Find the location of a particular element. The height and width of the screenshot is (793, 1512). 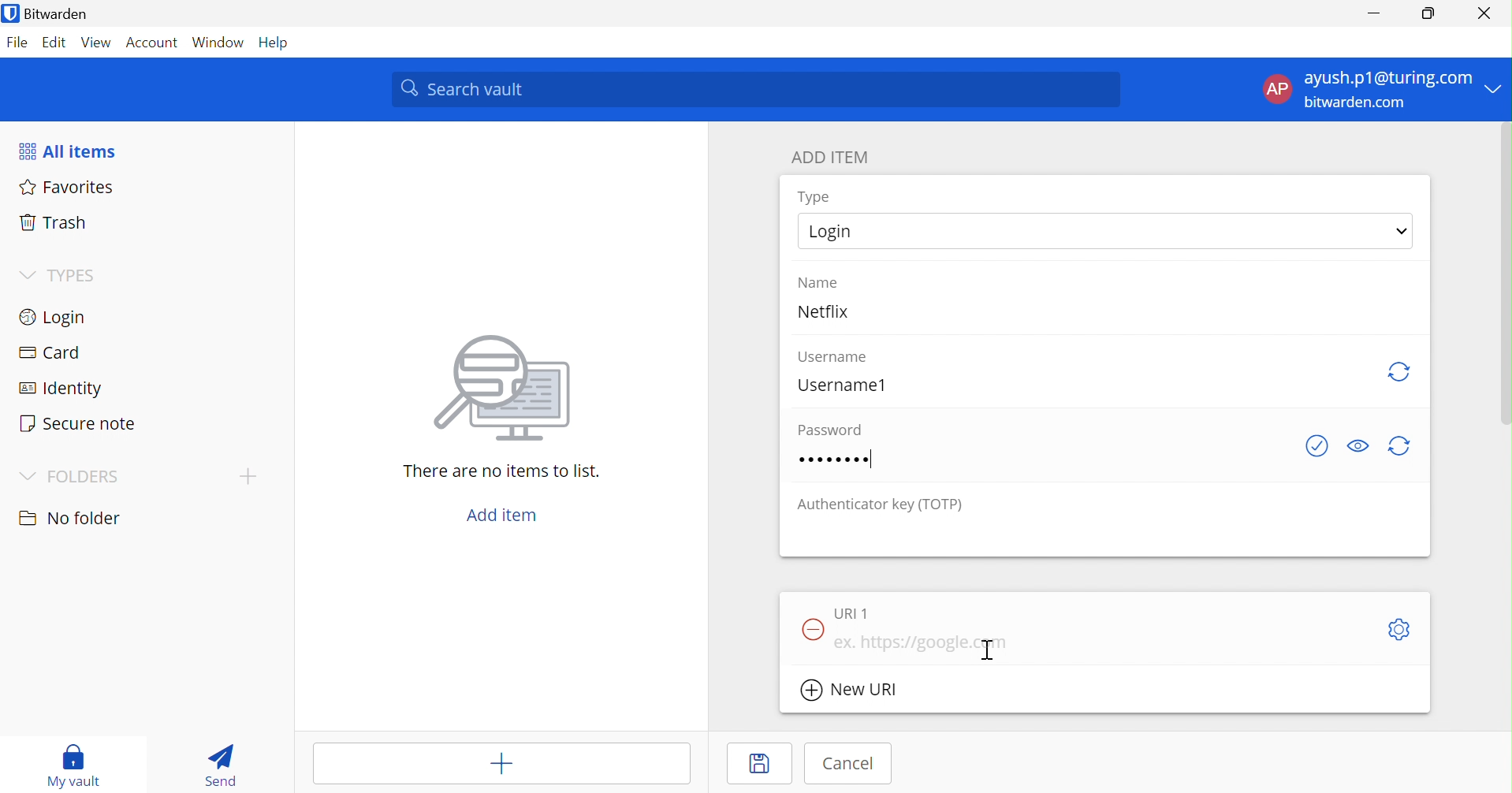

Cancel is located at coordinates (849, 764).